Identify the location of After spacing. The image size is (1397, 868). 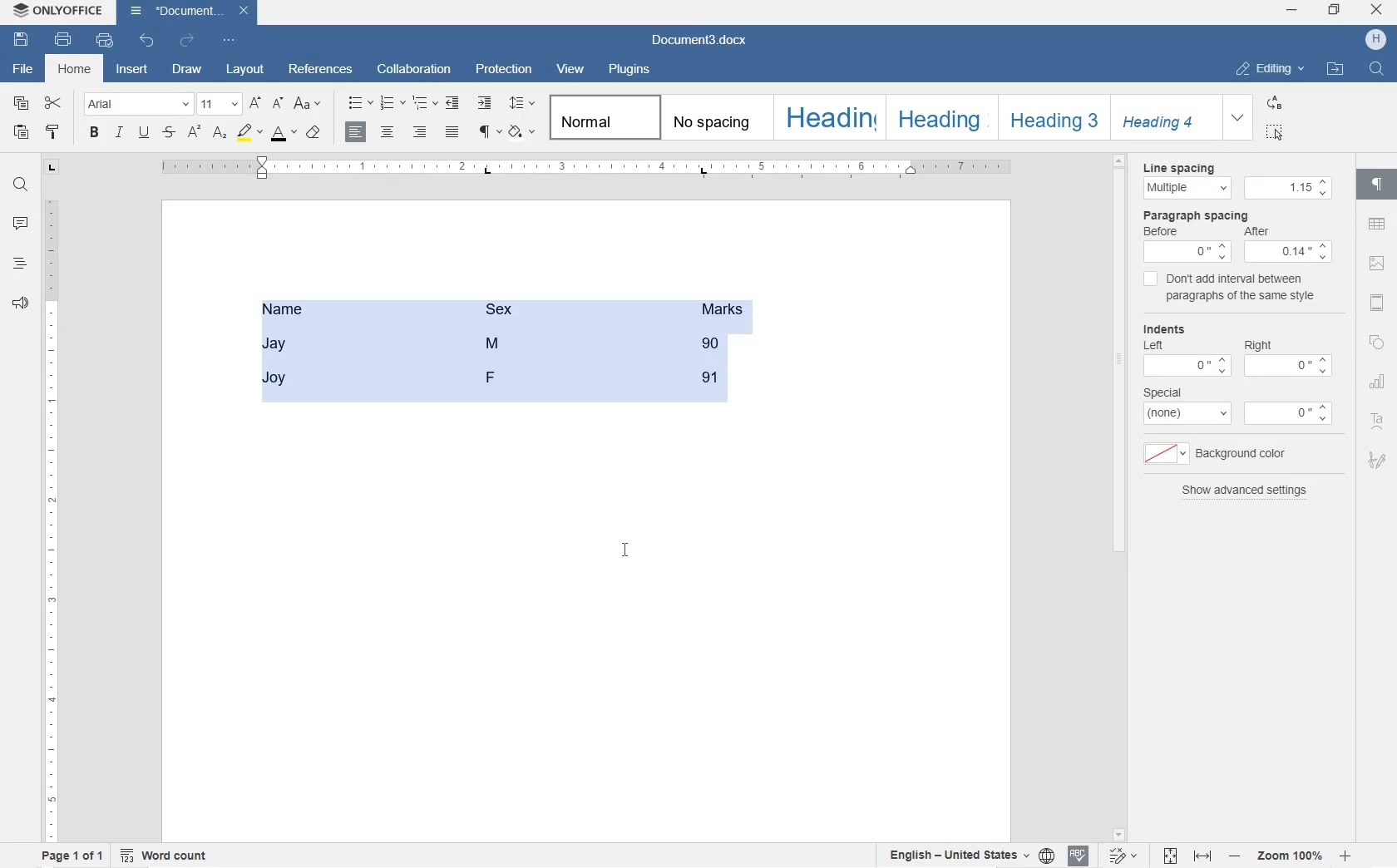
(1286, 244).